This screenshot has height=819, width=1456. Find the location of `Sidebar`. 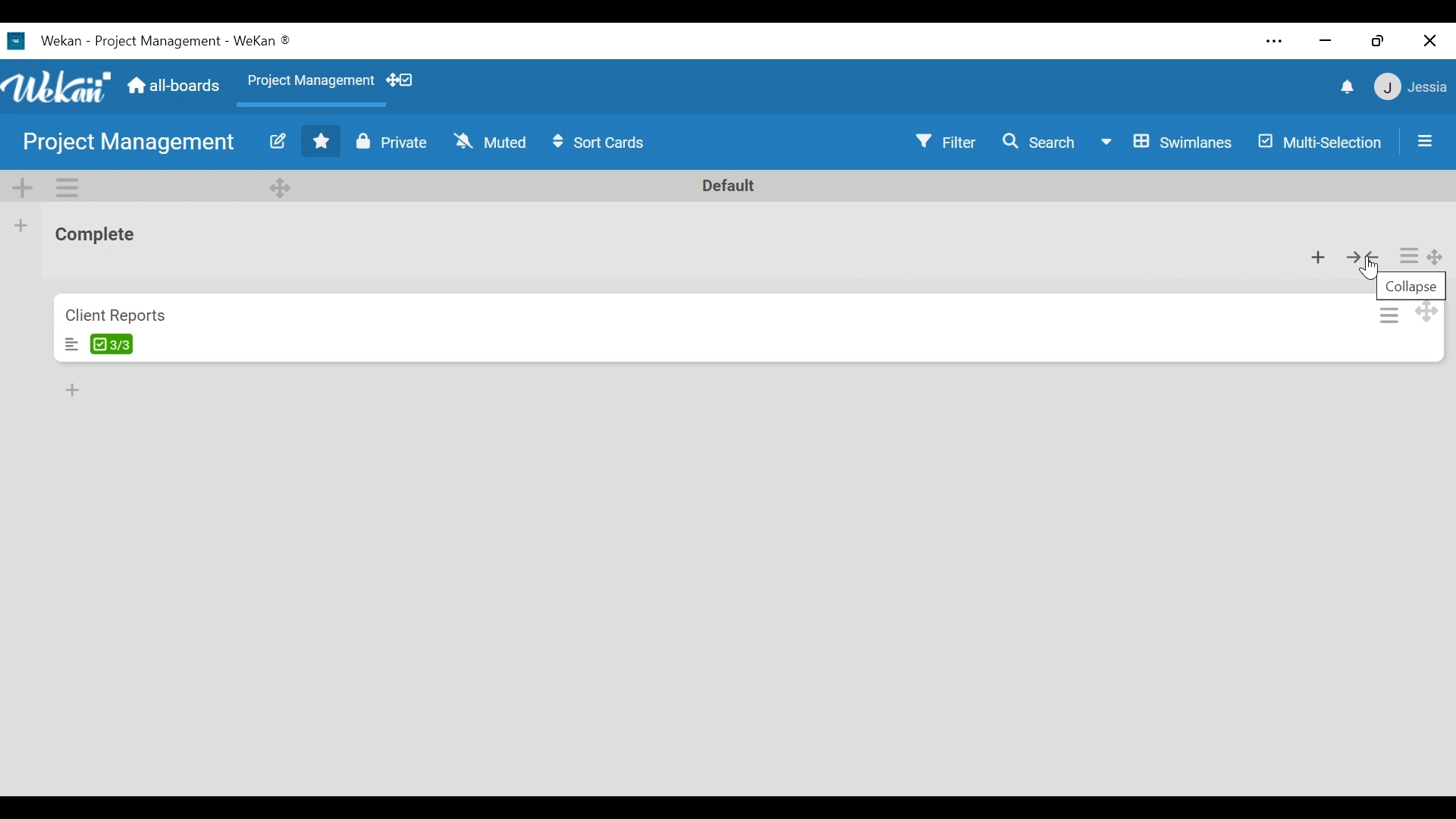

Sidebar is located at coordinates (1425, 140).